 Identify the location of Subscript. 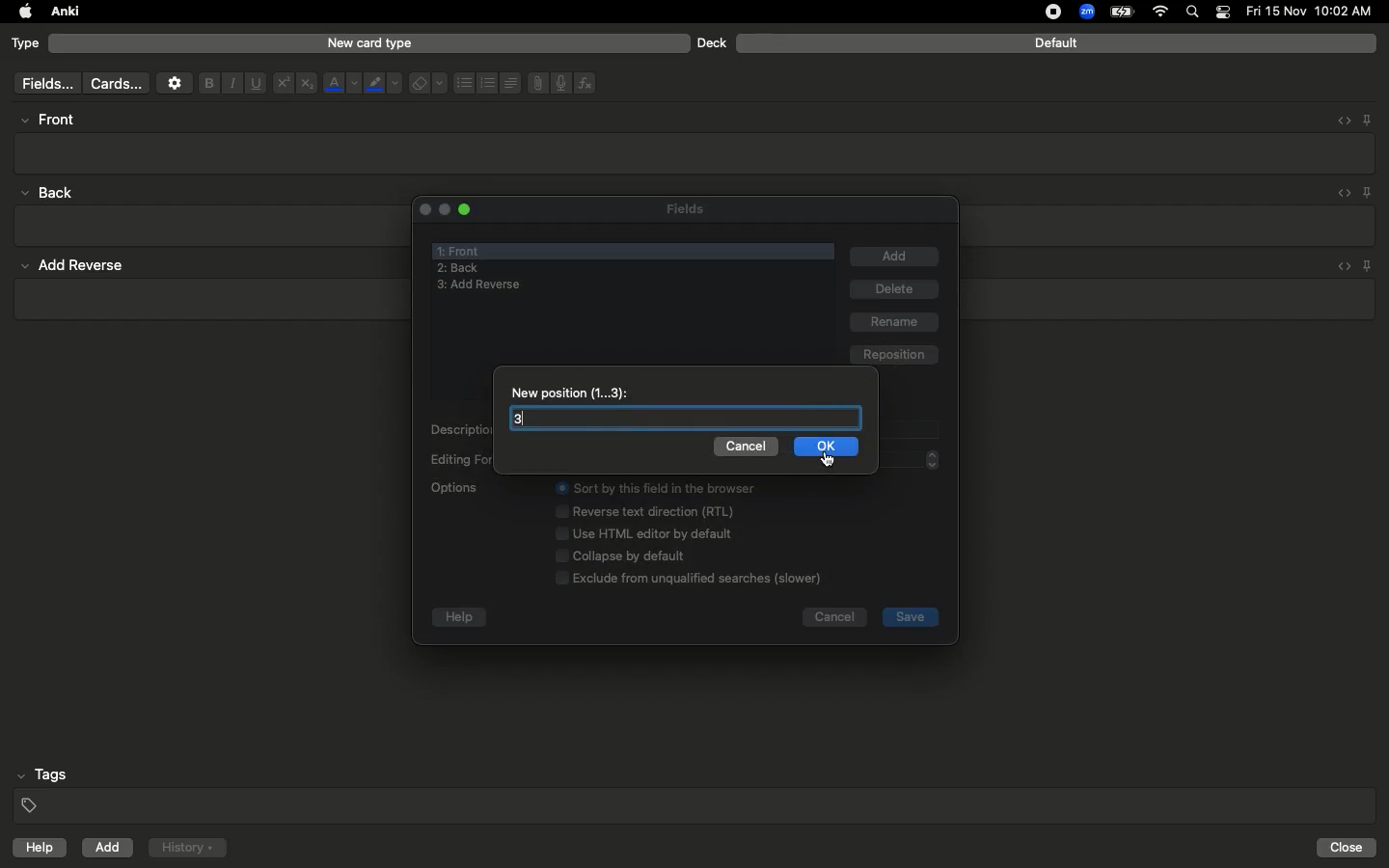
(307, 84).